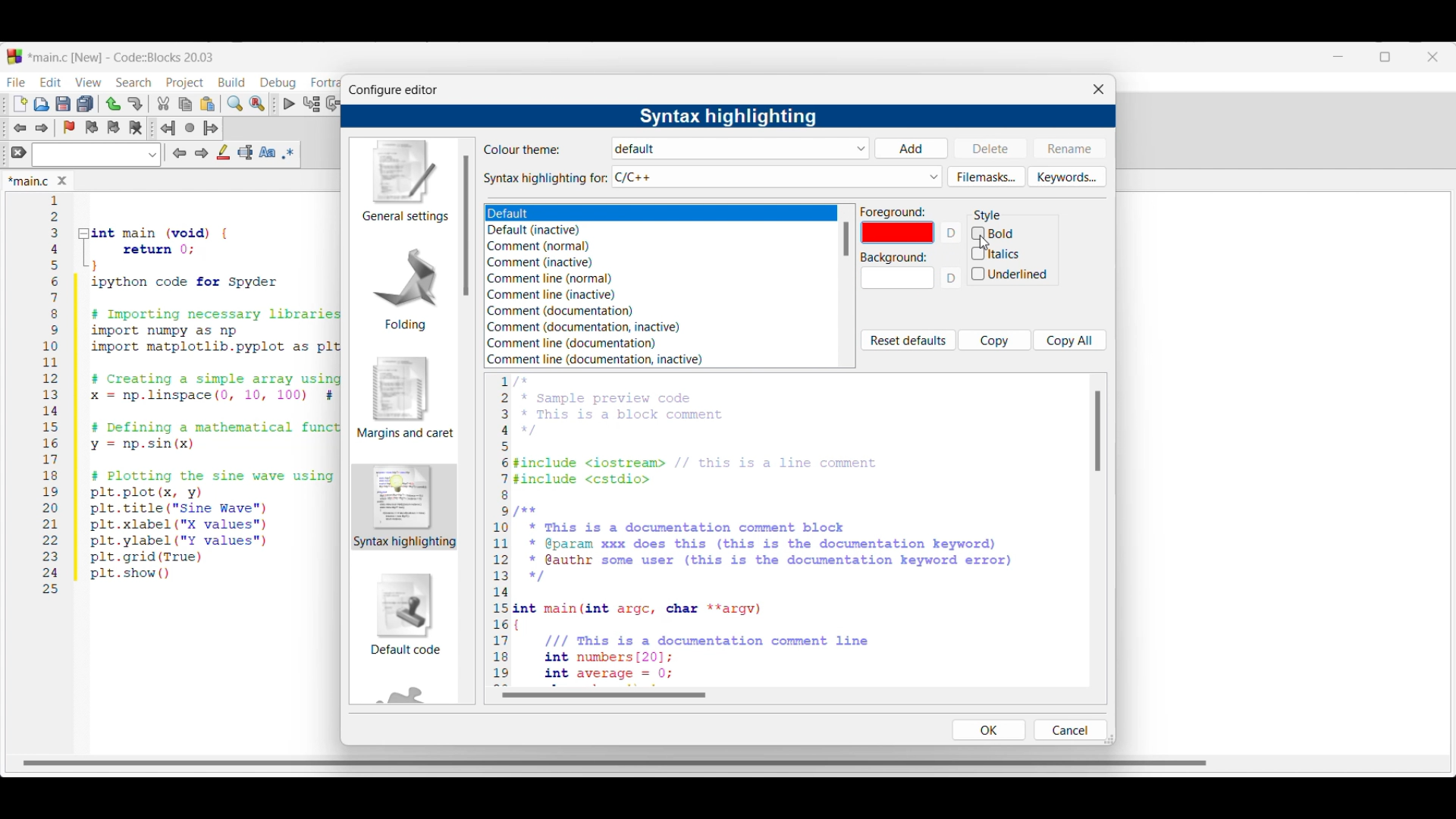  I want to click on Previous, so click(180, 153).